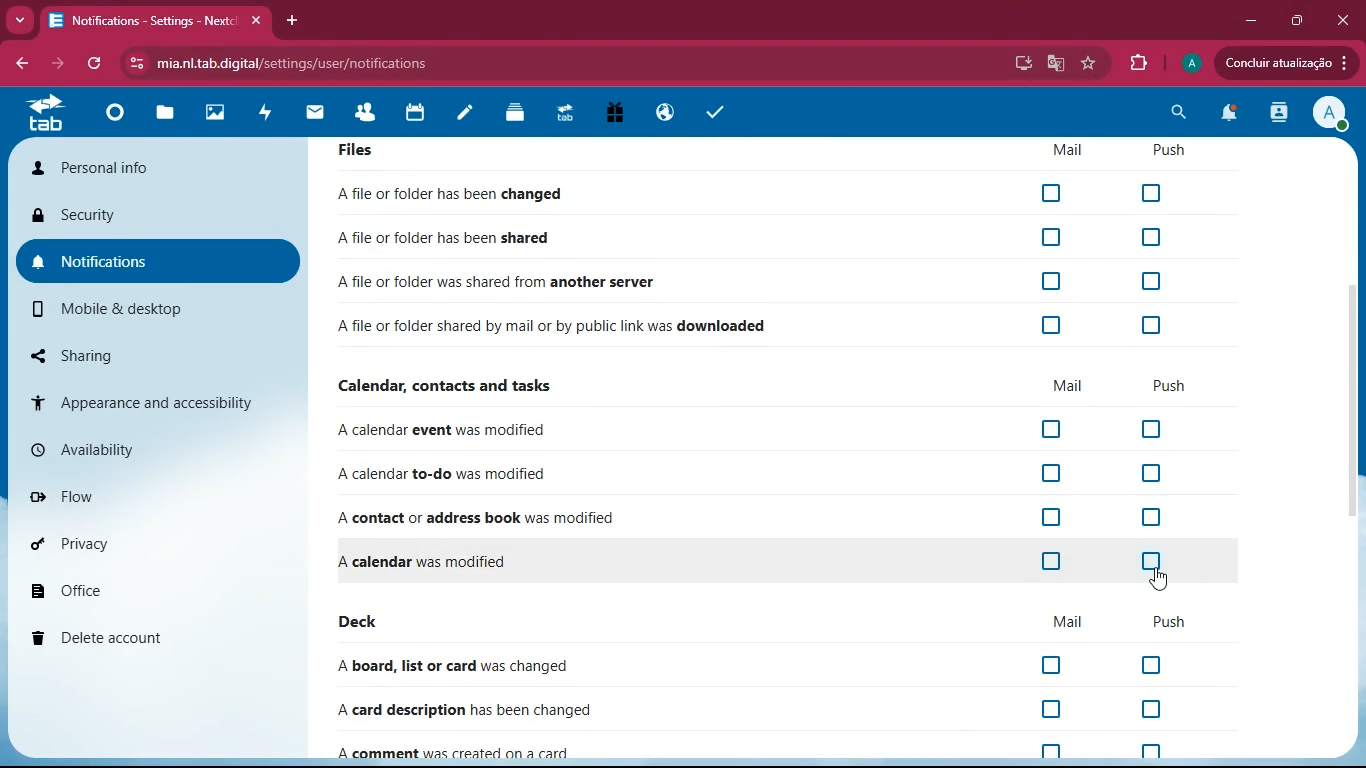 This screenshot has height=768, width=1366. I want to click on privacy, so click(136, 546).